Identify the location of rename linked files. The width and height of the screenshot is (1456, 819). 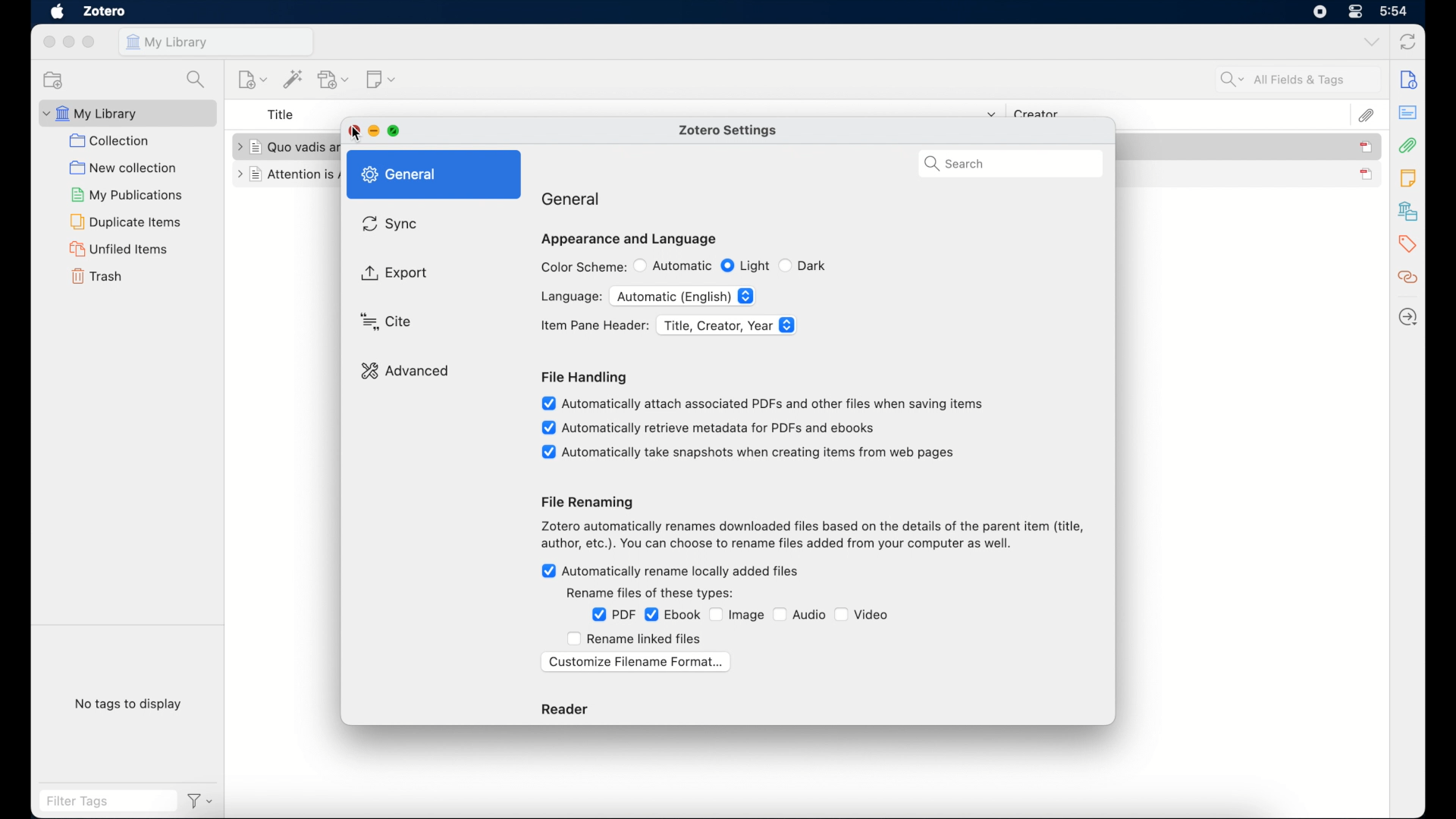
(633, 639).